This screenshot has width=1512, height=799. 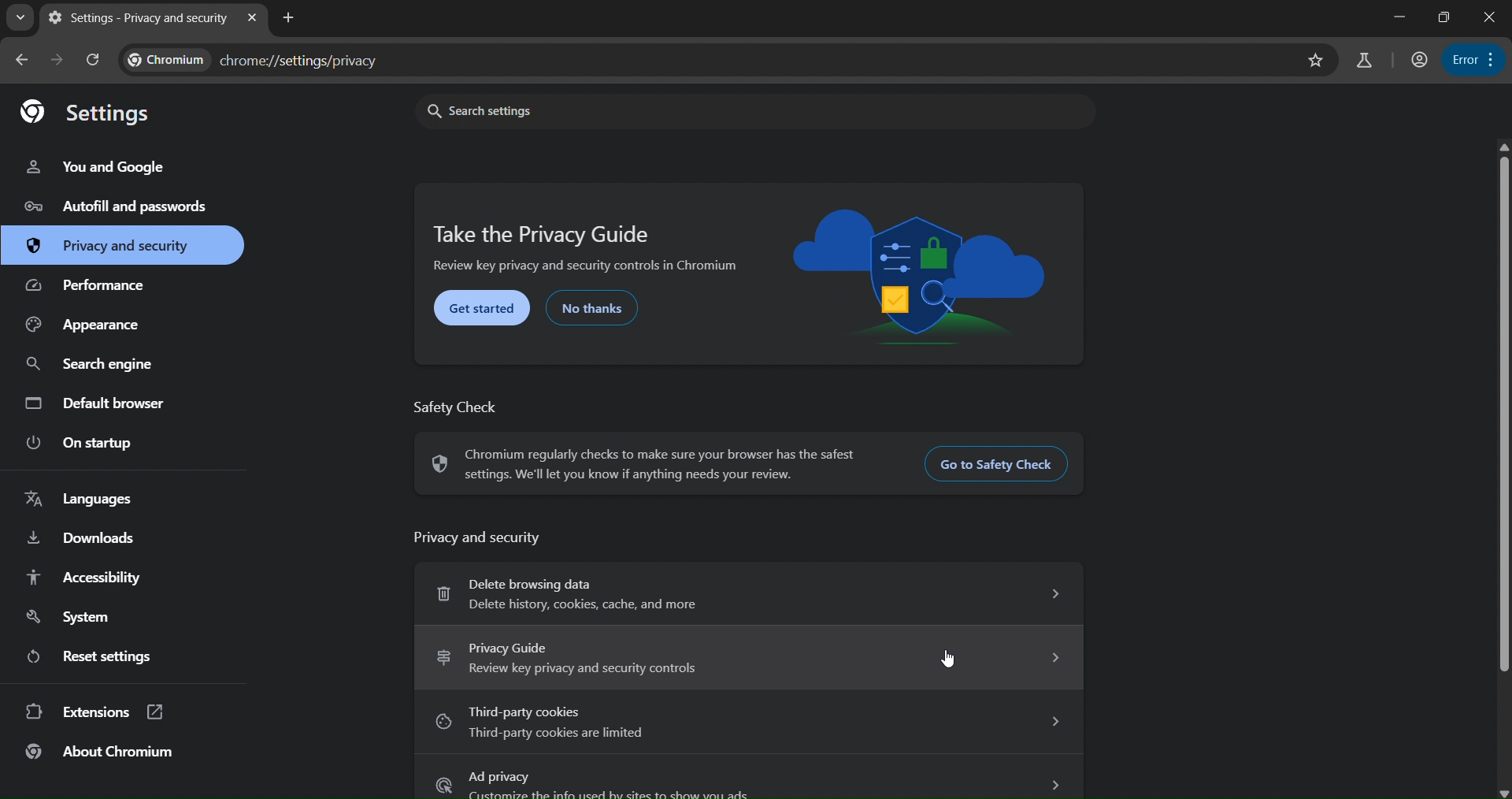 I want to click on privacy and security, so click(x=477, y=534).